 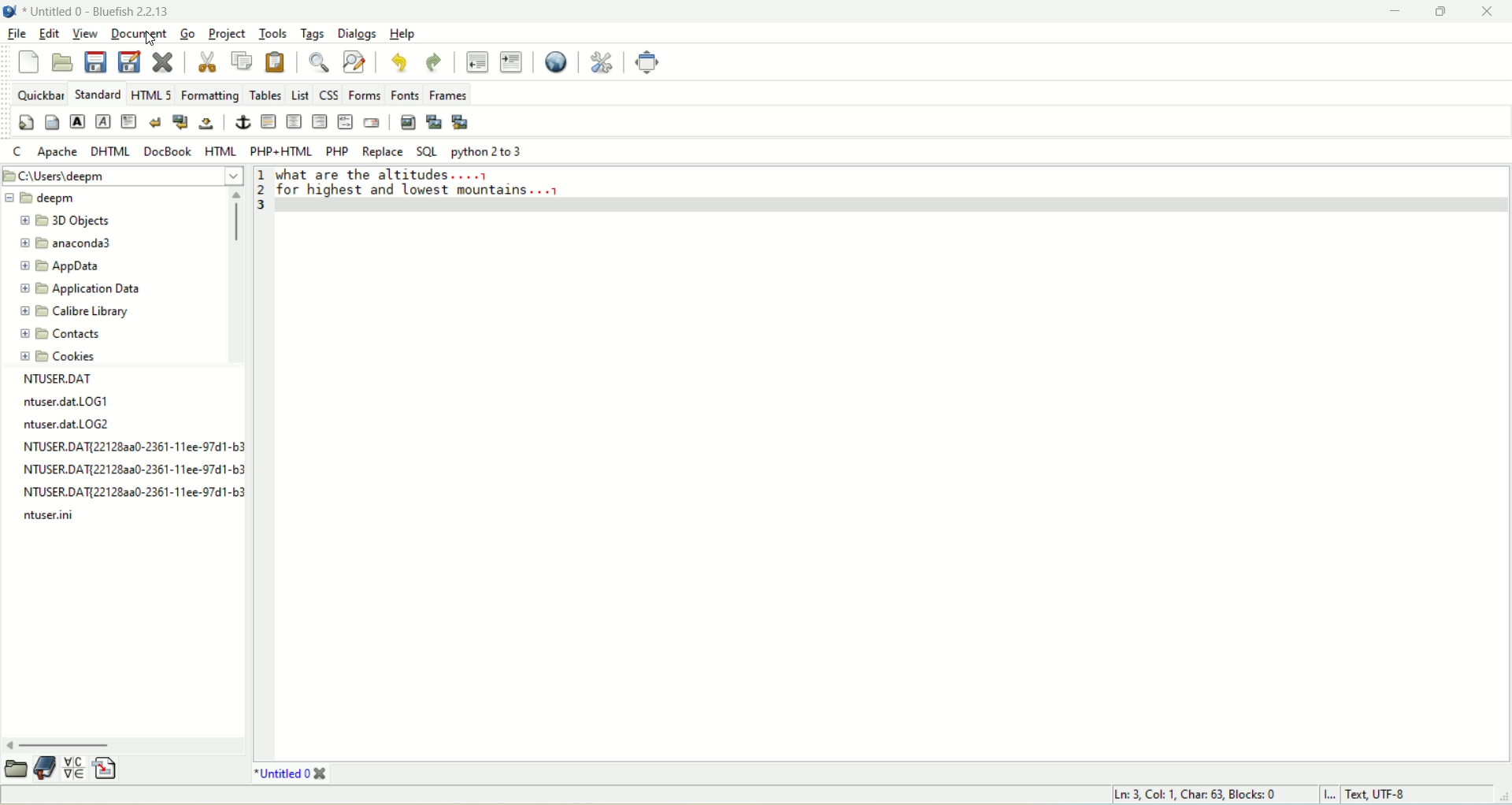 I want to click on HTML, so click(x=220, y=151).